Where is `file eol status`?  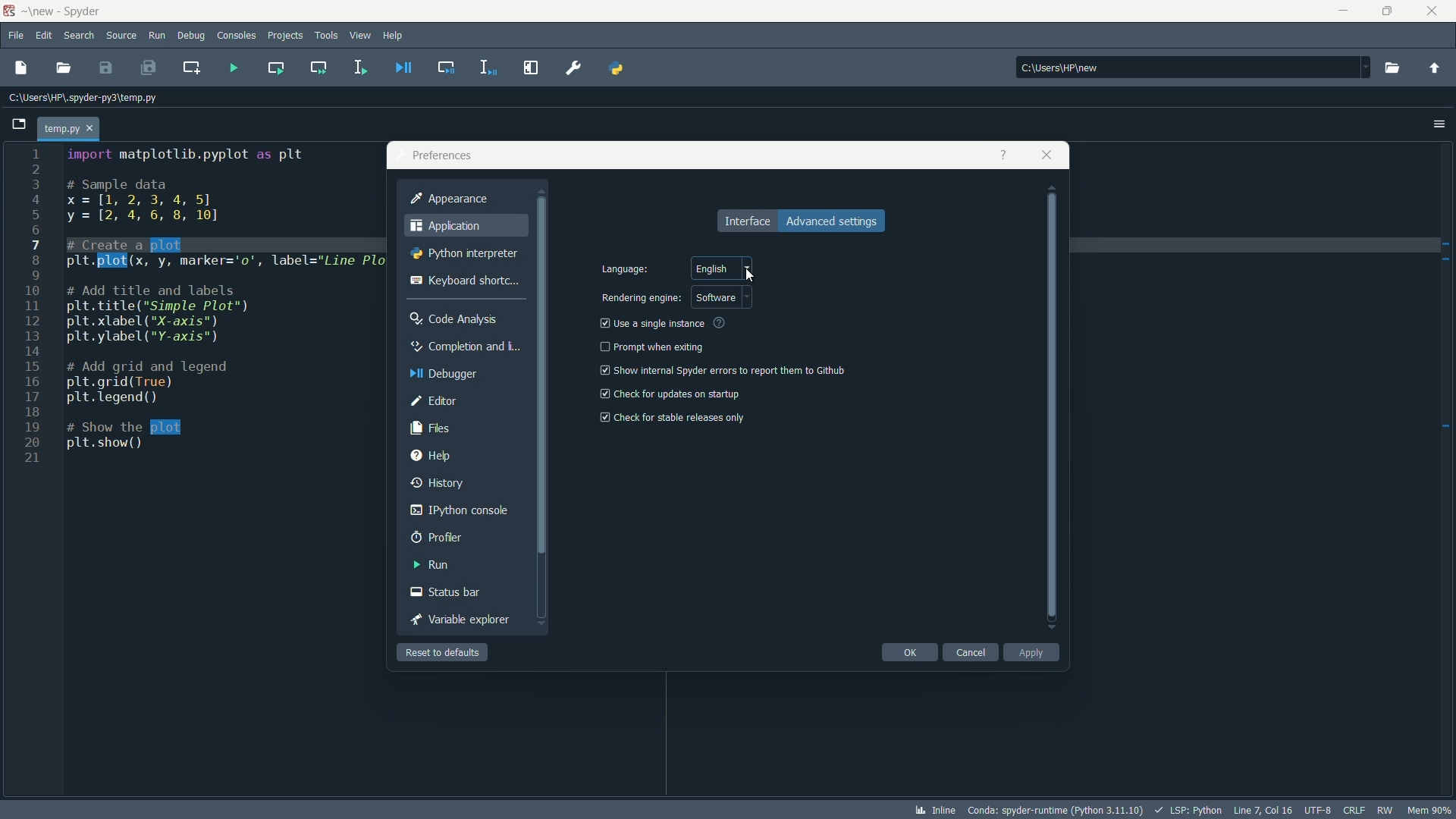
file eol status is located at coordinates (1354, 811).